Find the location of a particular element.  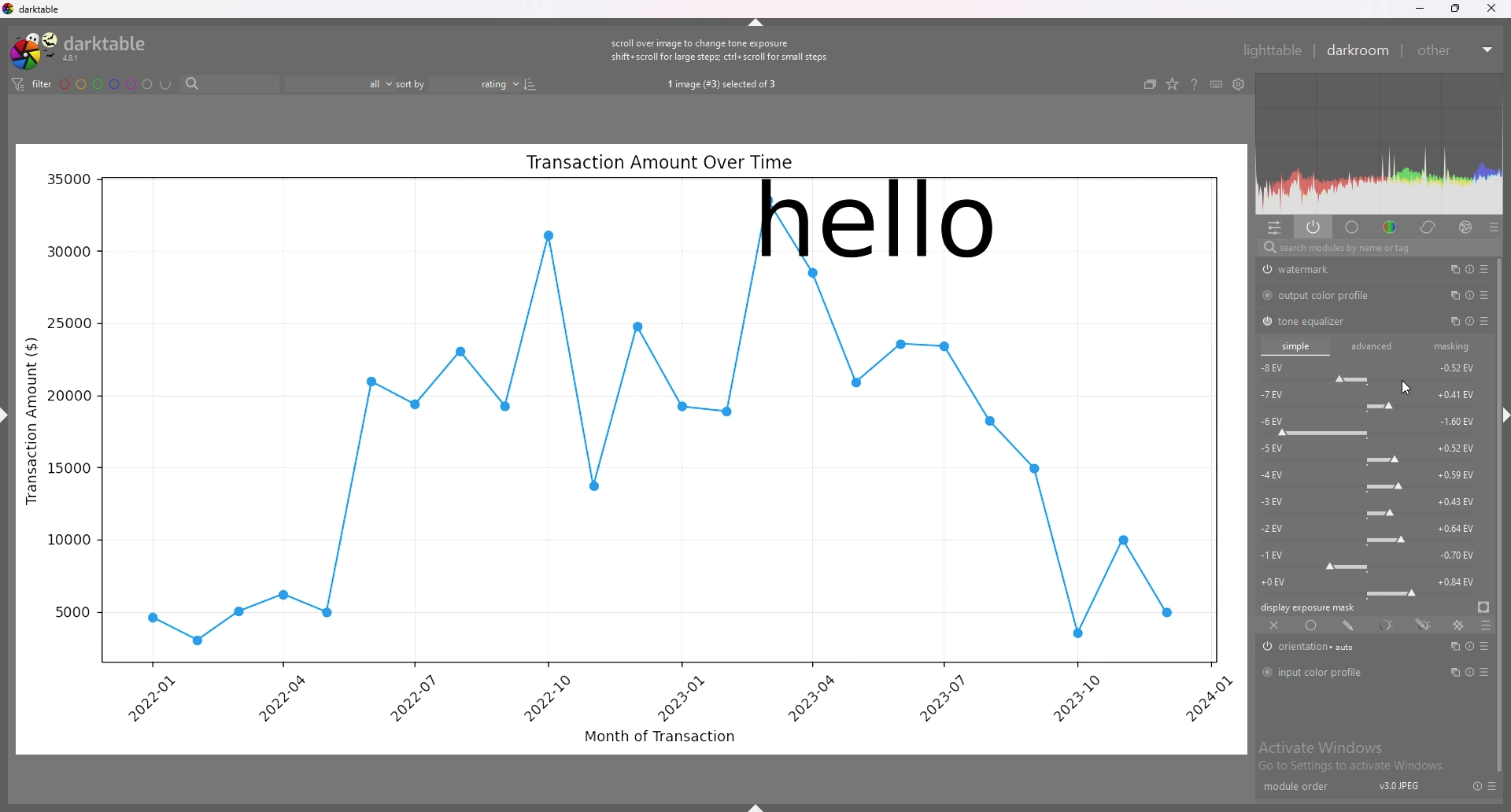

uniformly is located at coordinates (1313, 625).